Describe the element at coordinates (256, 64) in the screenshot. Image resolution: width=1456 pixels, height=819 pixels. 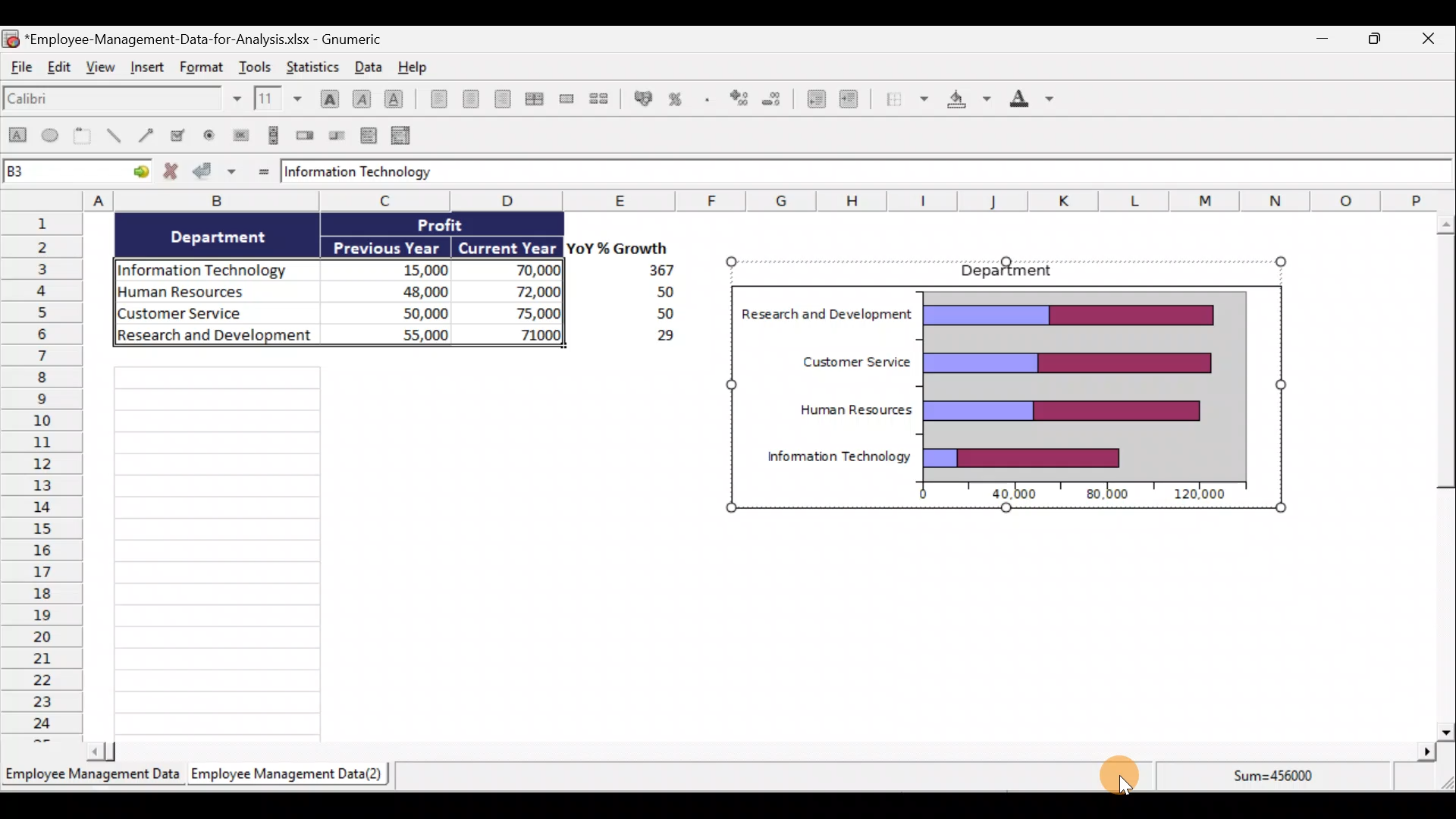
I see `Tools` at that location.